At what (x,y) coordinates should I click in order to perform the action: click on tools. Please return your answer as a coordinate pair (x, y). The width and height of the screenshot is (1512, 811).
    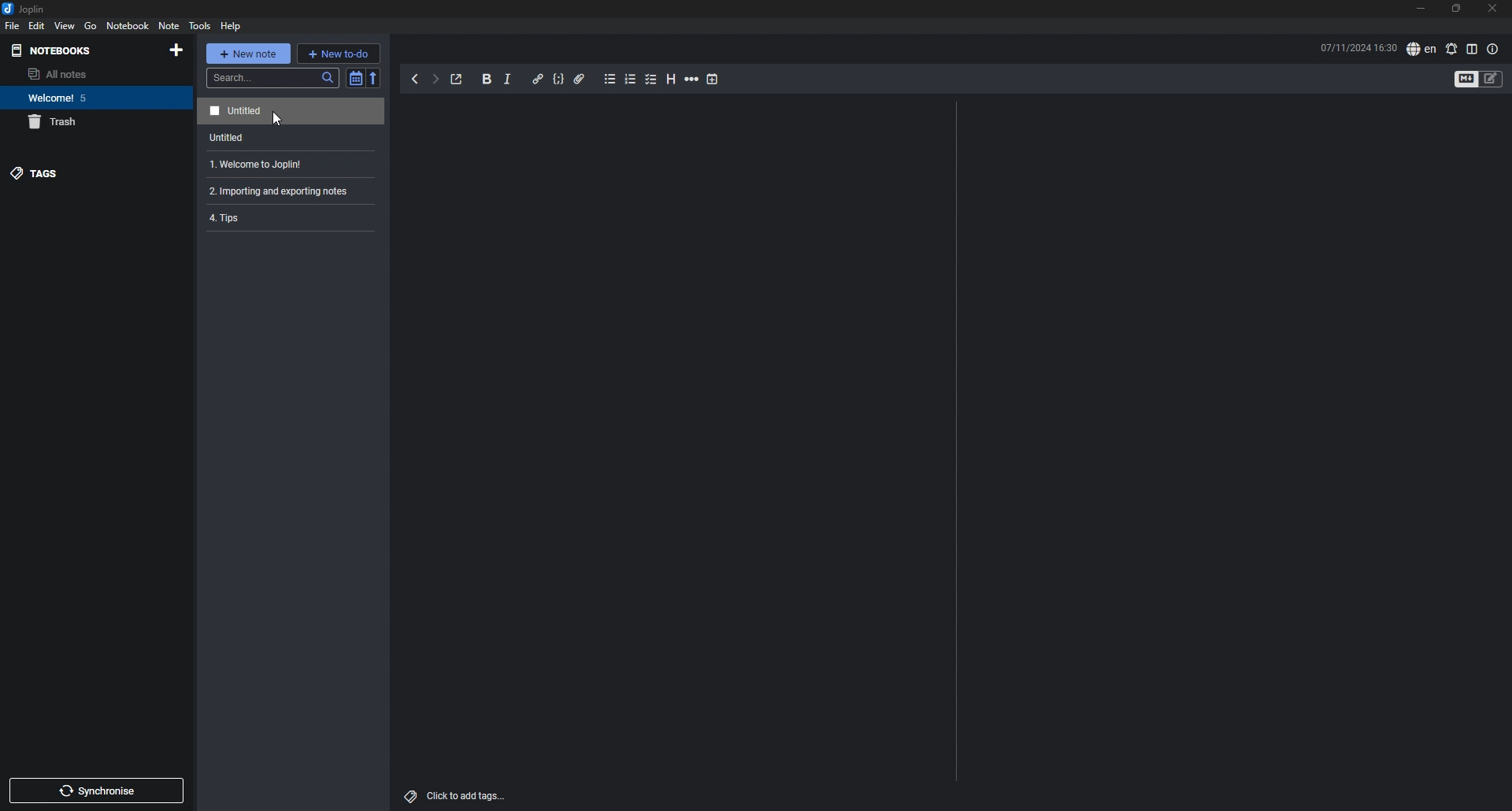
    Looking at the image, I should click on (198, 26).